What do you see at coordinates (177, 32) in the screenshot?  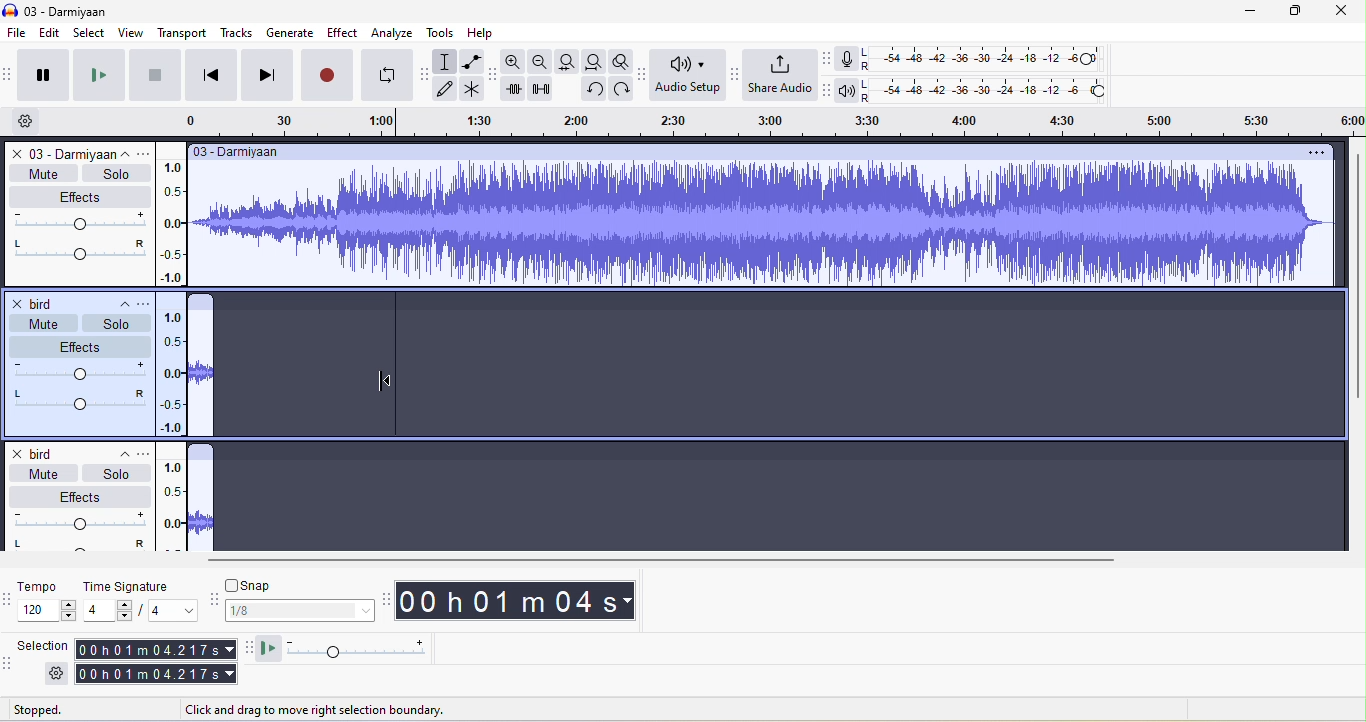 I see `transport` at bounding box center [177, 32].